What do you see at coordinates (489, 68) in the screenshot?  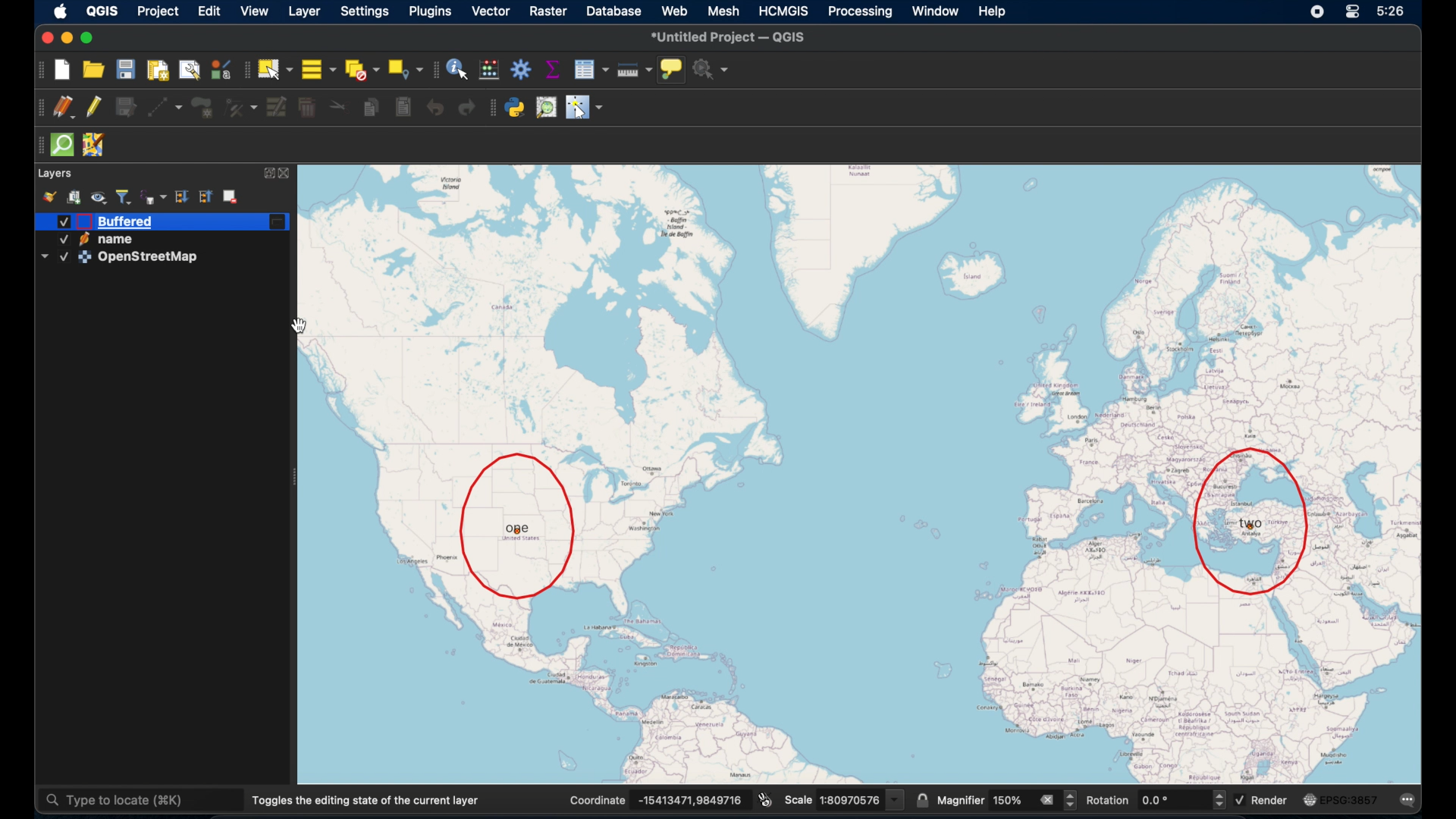 I see `open field calculator` at bounding box center [489, 68].